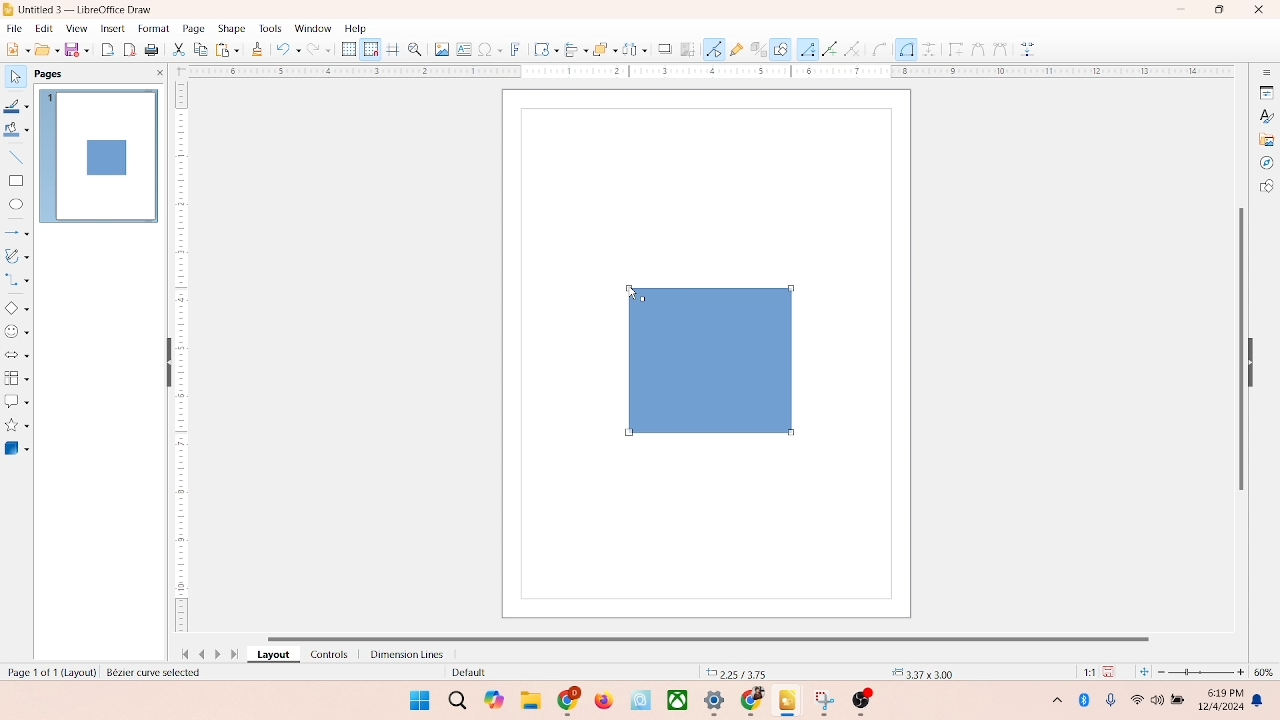 This screenshot has width=1280, height=720. I want to click on symbol shapes, so click(17, 332).